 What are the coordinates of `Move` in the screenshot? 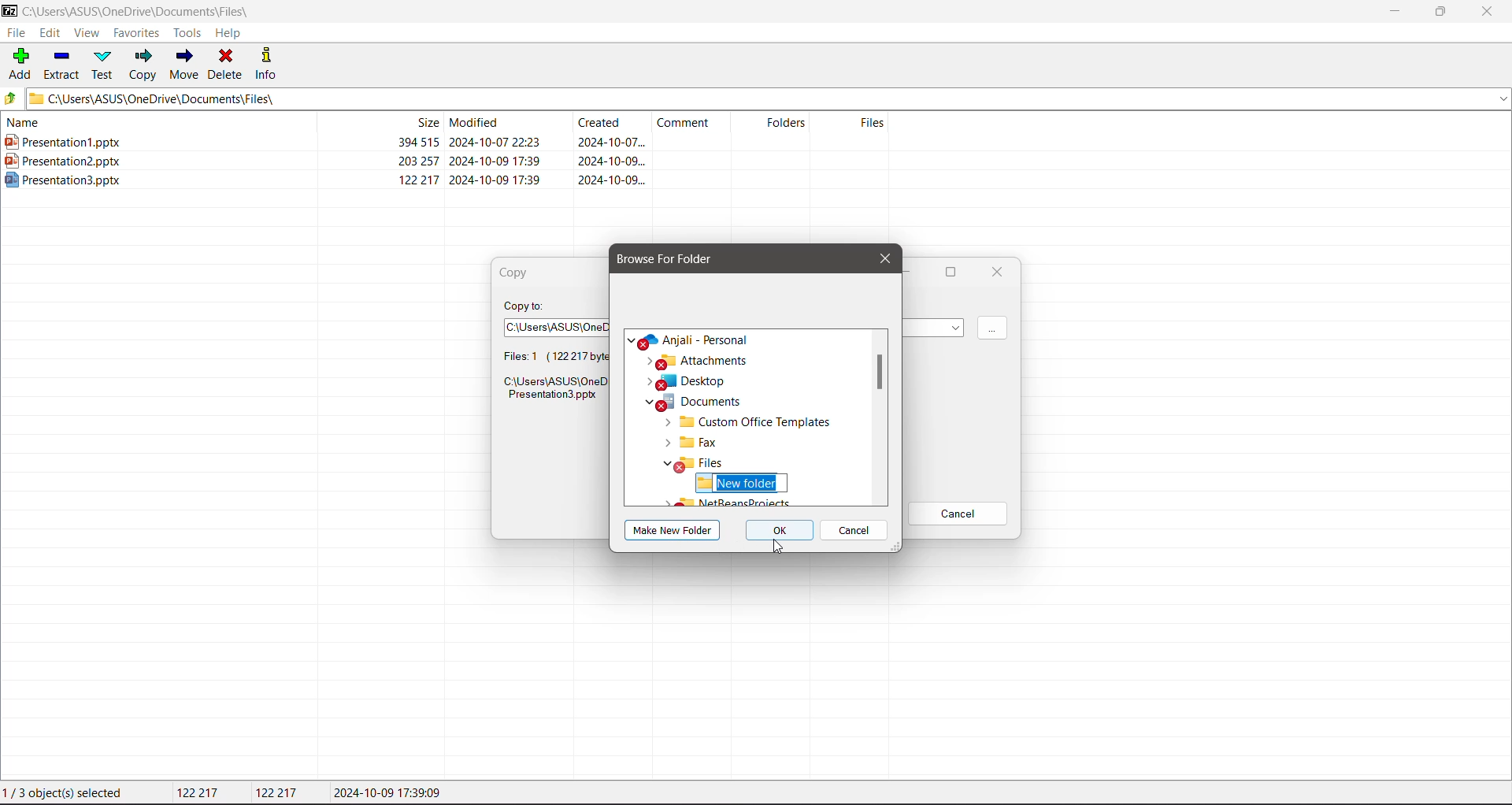 It's located at (184, 62).